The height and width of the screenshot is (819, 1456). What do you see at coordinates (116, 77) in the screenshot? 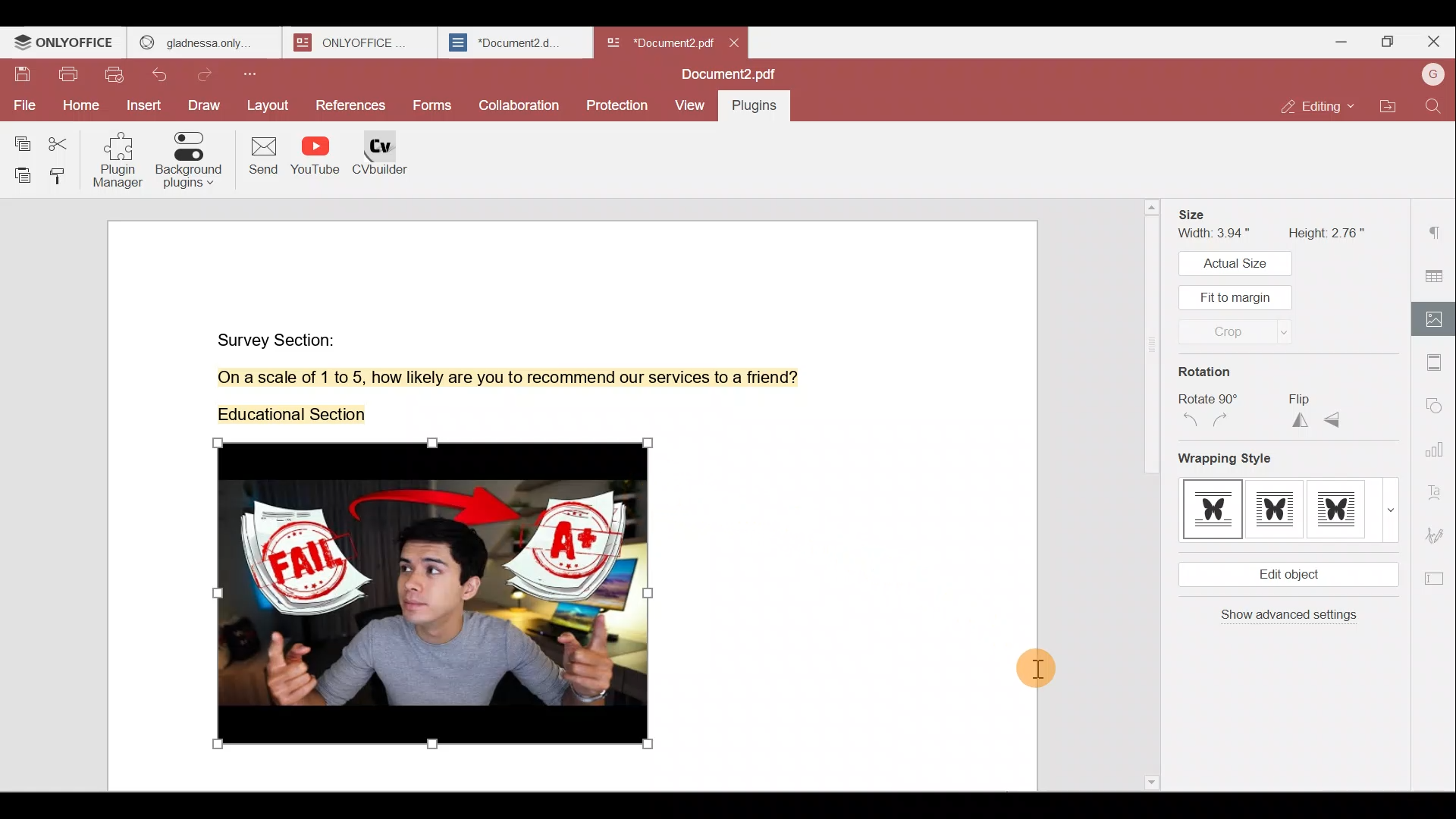
I see `Quick print` at bounding box center [116, 77].